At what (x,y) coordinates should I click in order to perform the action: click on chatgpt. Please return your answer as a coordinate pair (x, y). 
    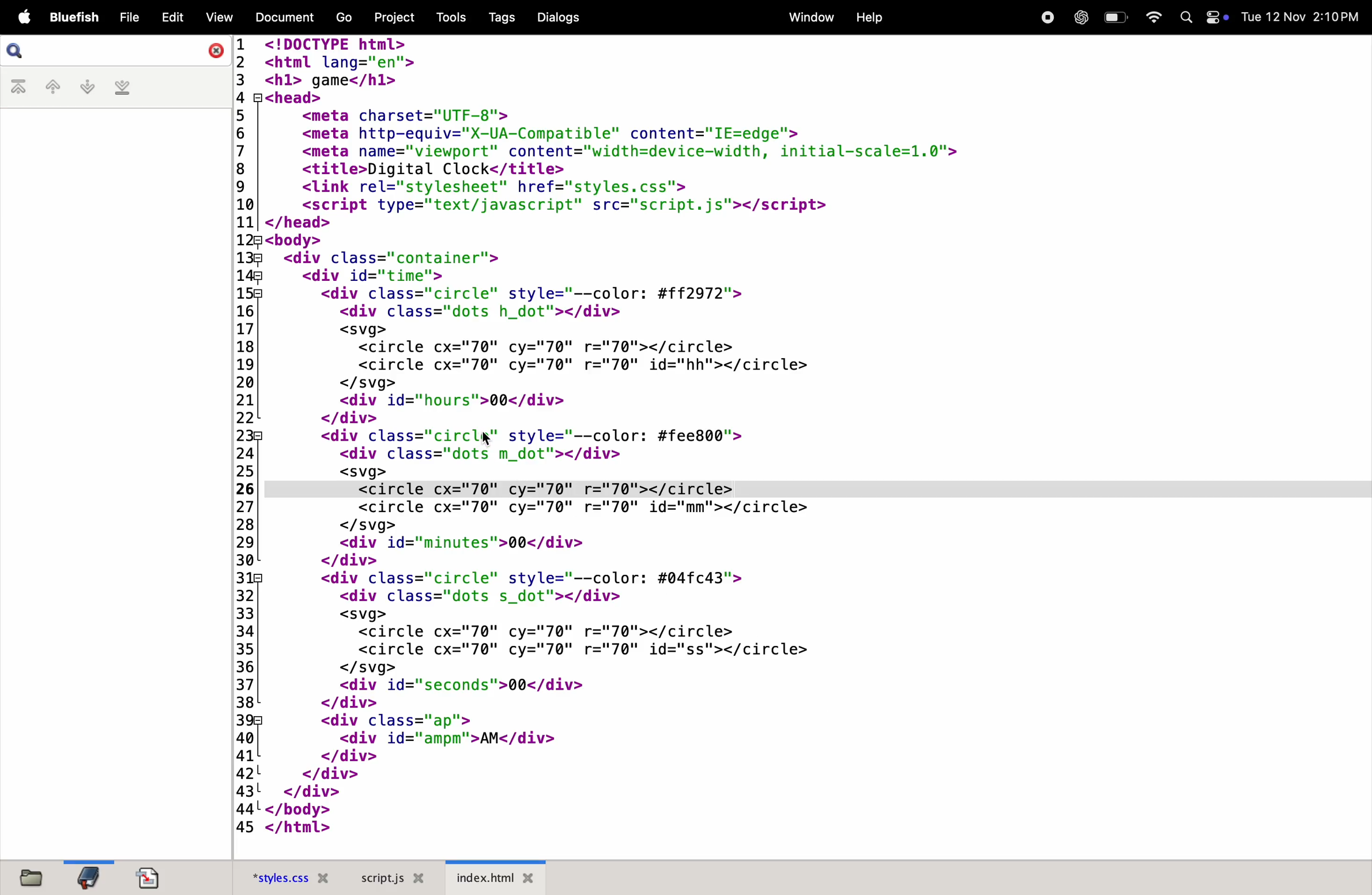
    Looking at the image, I should click on (1077, 17).